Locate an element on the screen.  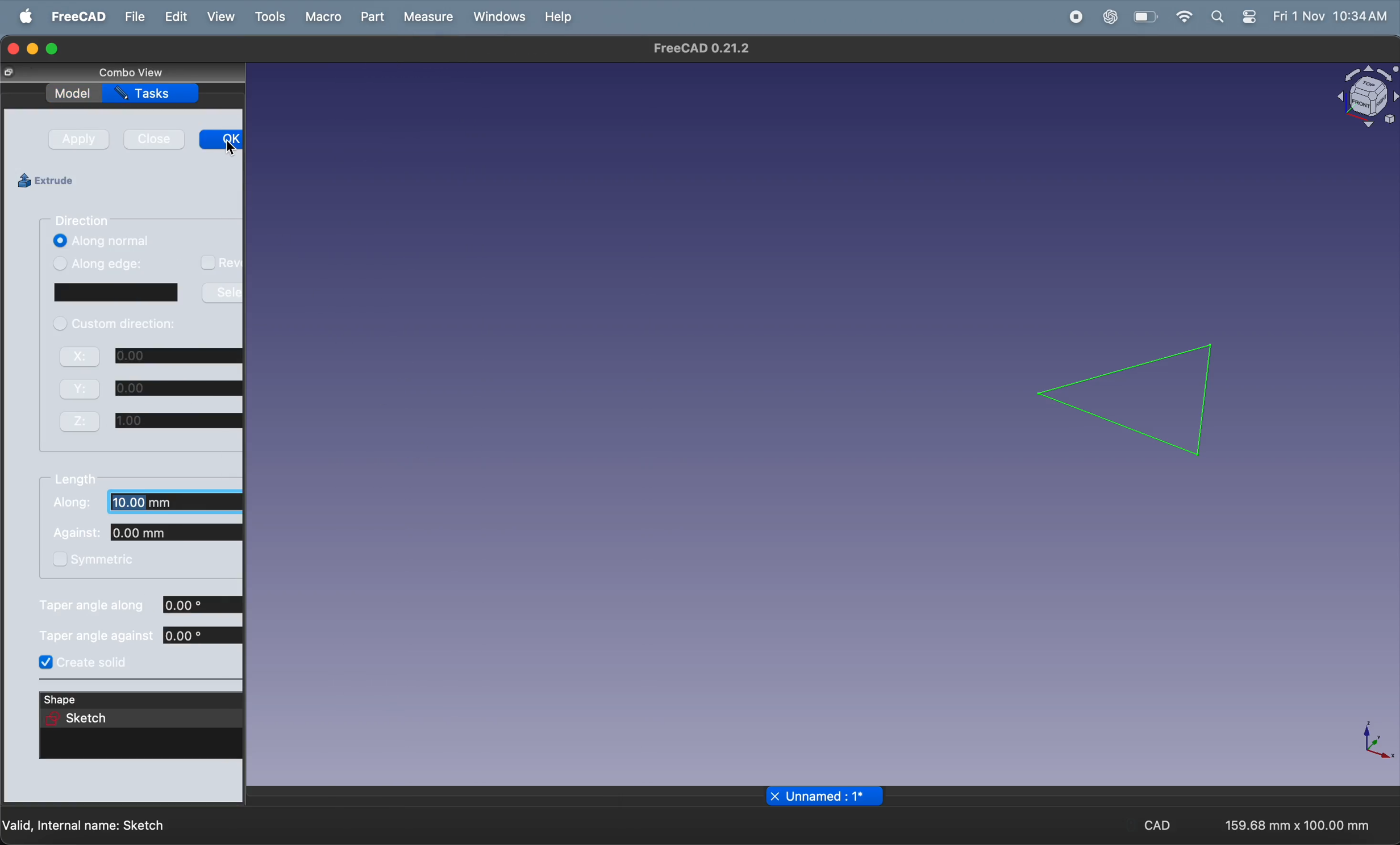
Along: is located at coordinates (70, 503).